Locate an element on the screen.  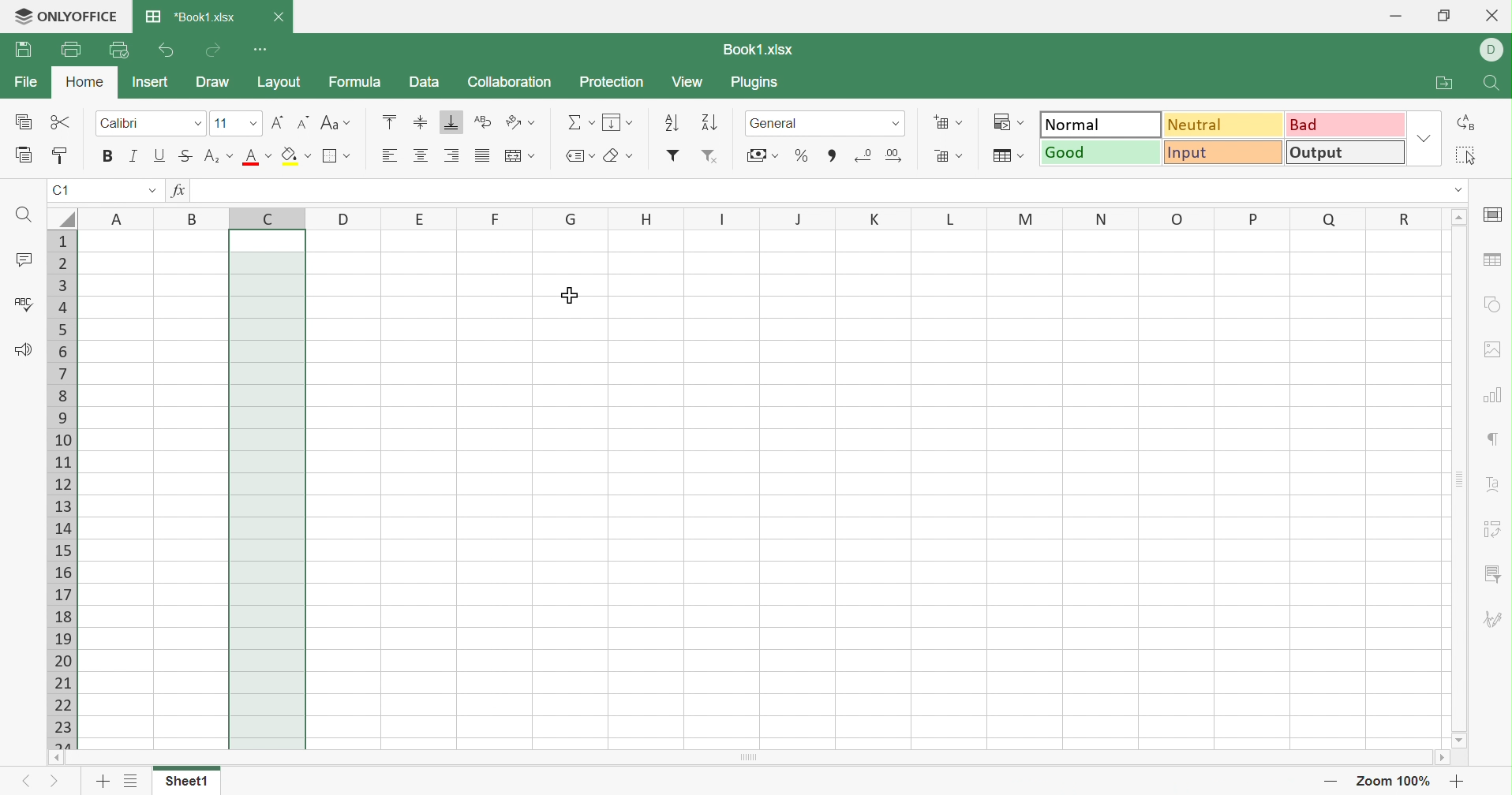
Paste is located at coordinates (22, 154).